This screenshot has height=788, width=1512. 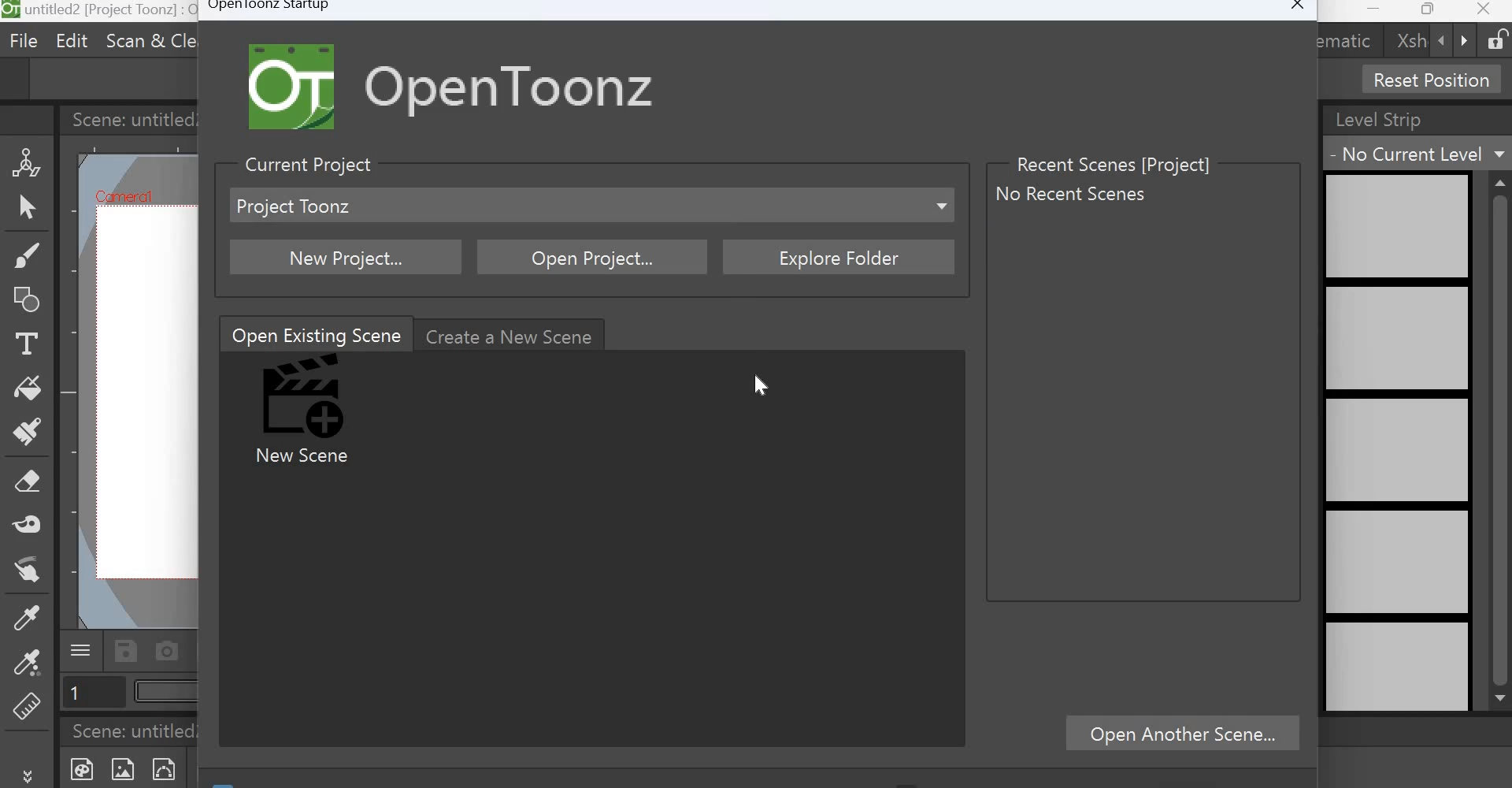 I want to click on New Toonz Raster Level, so click(x=80, y=768).